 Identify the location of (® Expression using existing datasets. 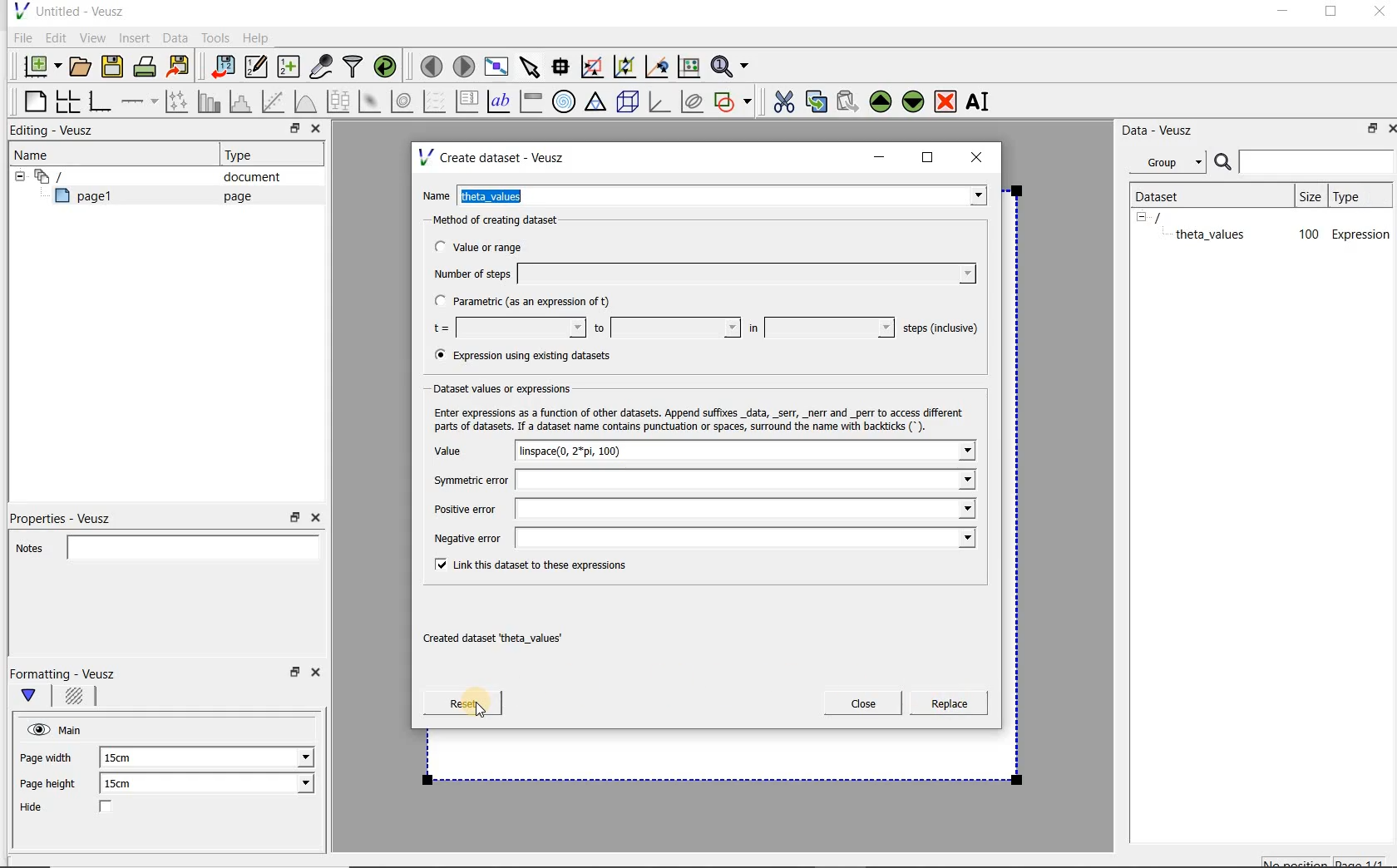
(535, 356).